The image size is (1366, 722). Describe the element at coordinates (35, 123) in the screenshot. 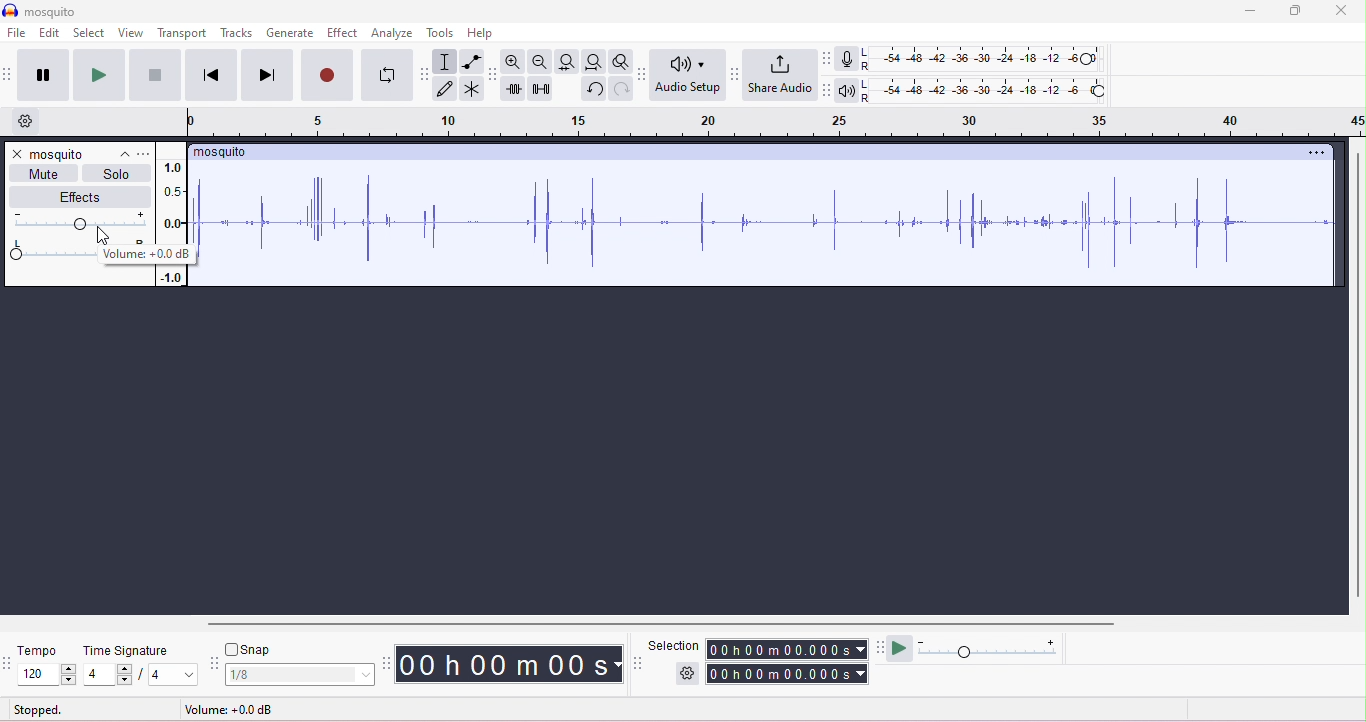

I see `timeline options` at that location.